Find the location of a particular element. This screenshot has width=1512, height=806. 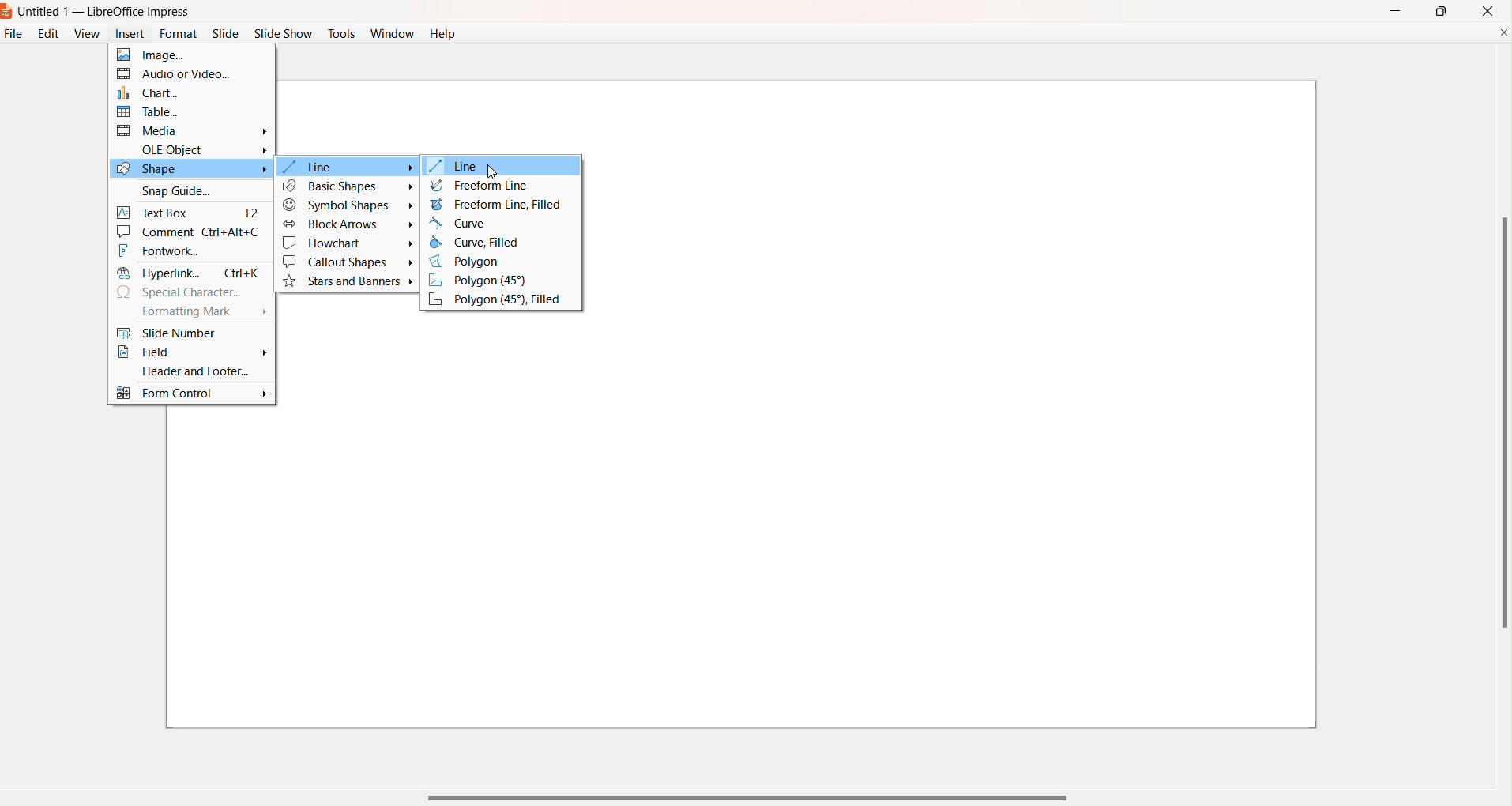

Line is located at coordinates (348, 167).